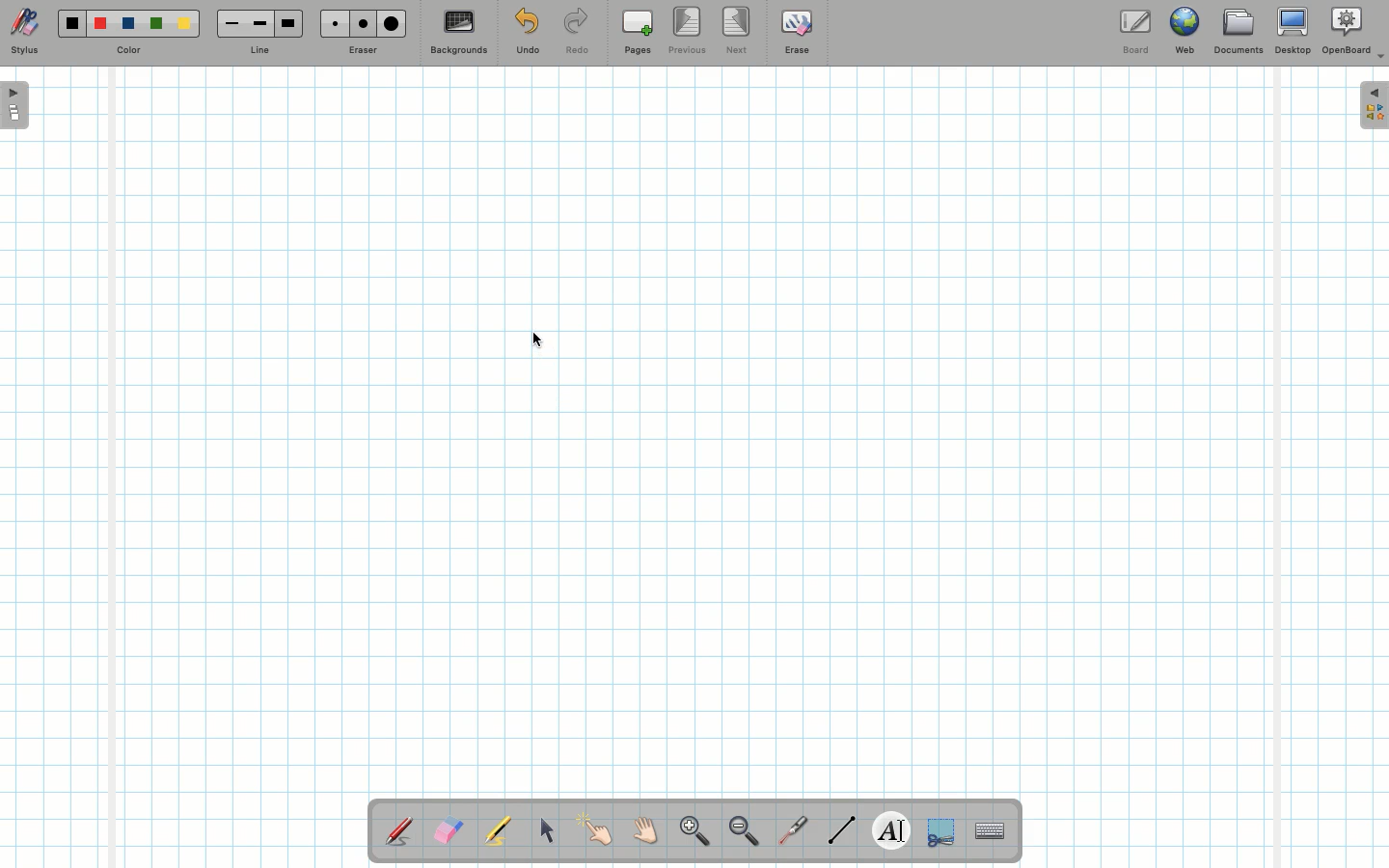 The image size is (1389, 868). I want to click on Documents, so click(1238, 34).